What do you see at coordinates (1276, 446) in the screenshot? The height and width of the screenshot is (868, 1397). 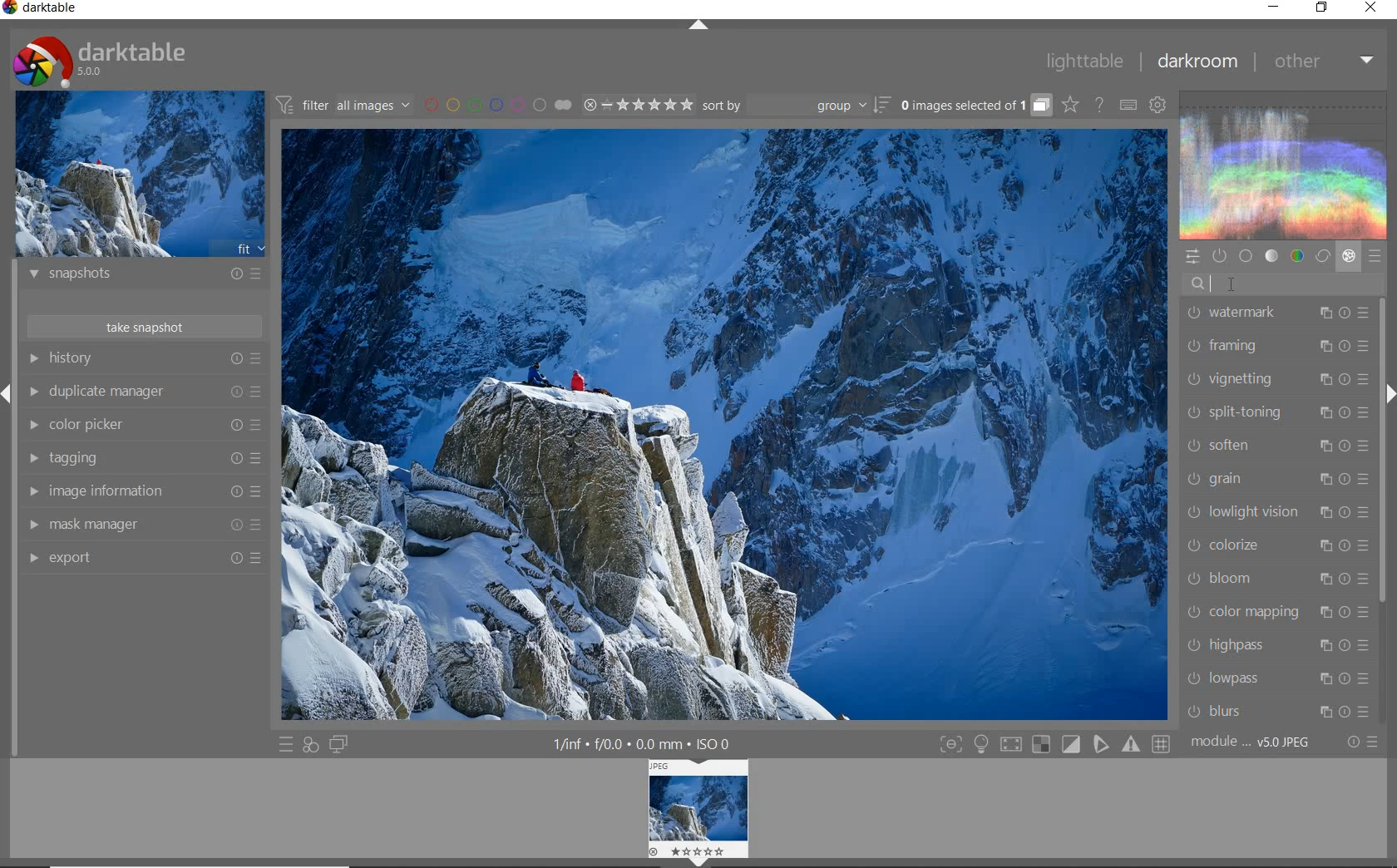 I see `soften` at bounding box center [1276, 446].